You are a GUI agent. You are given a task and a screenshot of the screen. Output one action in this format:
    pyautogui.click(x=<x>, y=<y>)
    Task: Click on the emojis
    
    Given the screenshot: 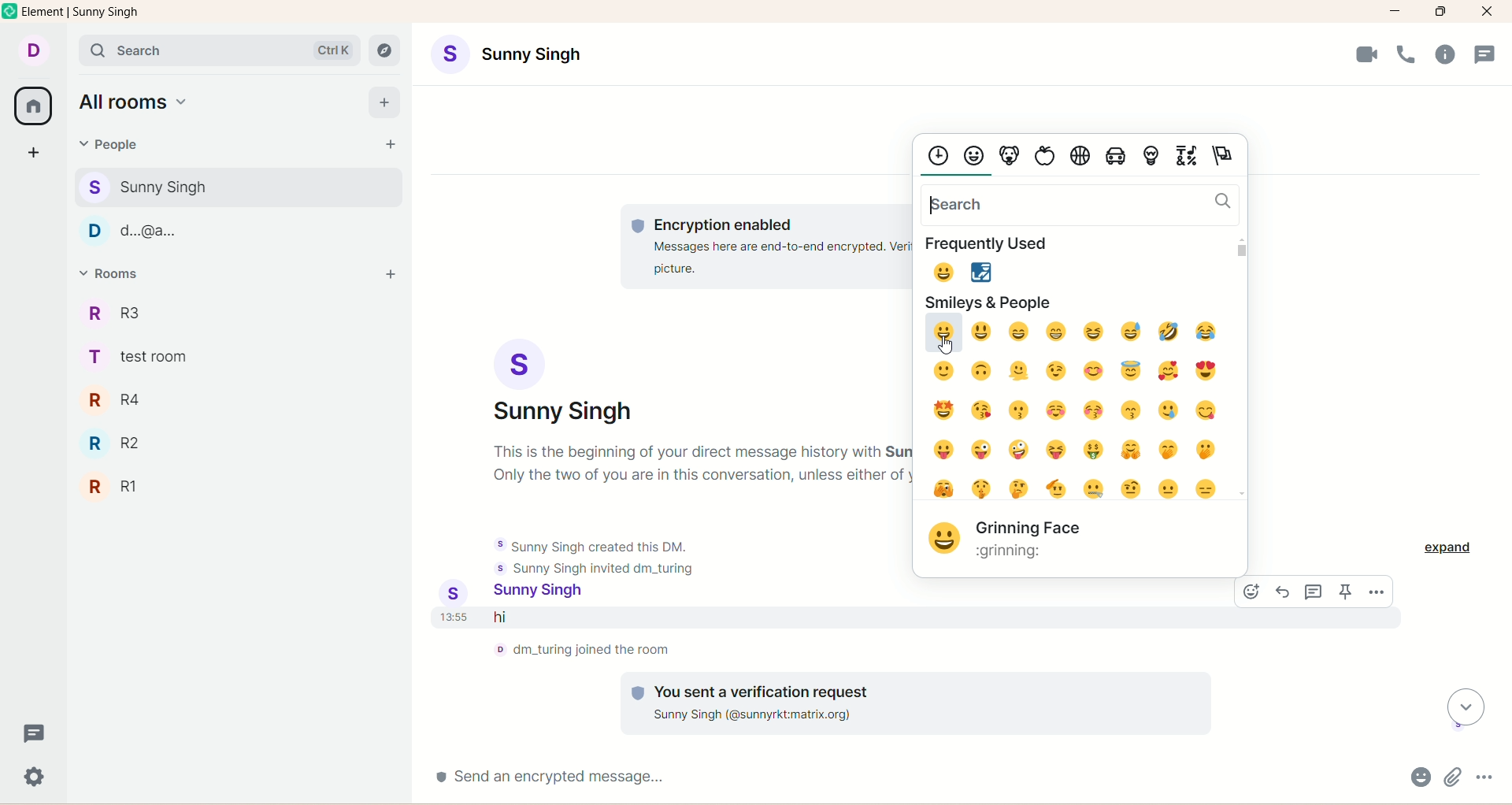 What is the action you would take?
    pyautogui.click(x=1421, y=777)
    